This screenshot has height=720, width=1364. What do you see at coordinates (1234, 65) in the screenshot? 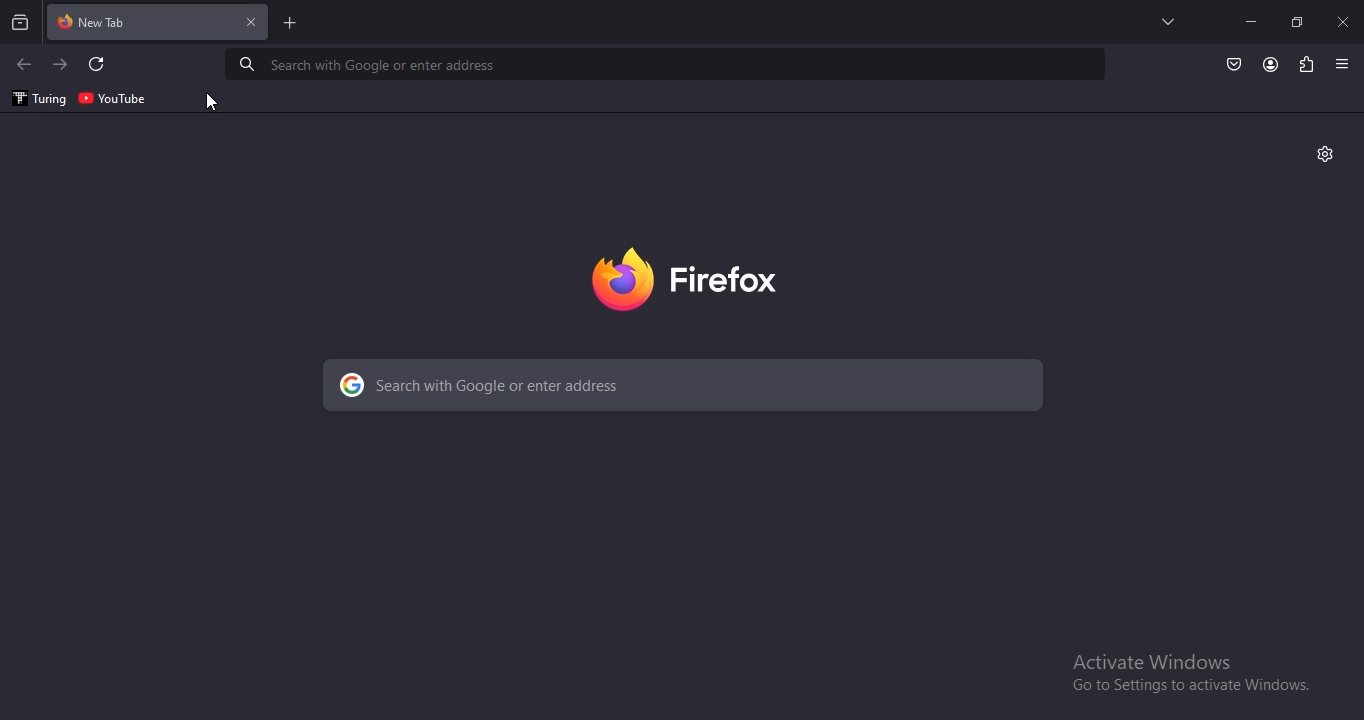
I see `` at bounding box center [1234, 65].